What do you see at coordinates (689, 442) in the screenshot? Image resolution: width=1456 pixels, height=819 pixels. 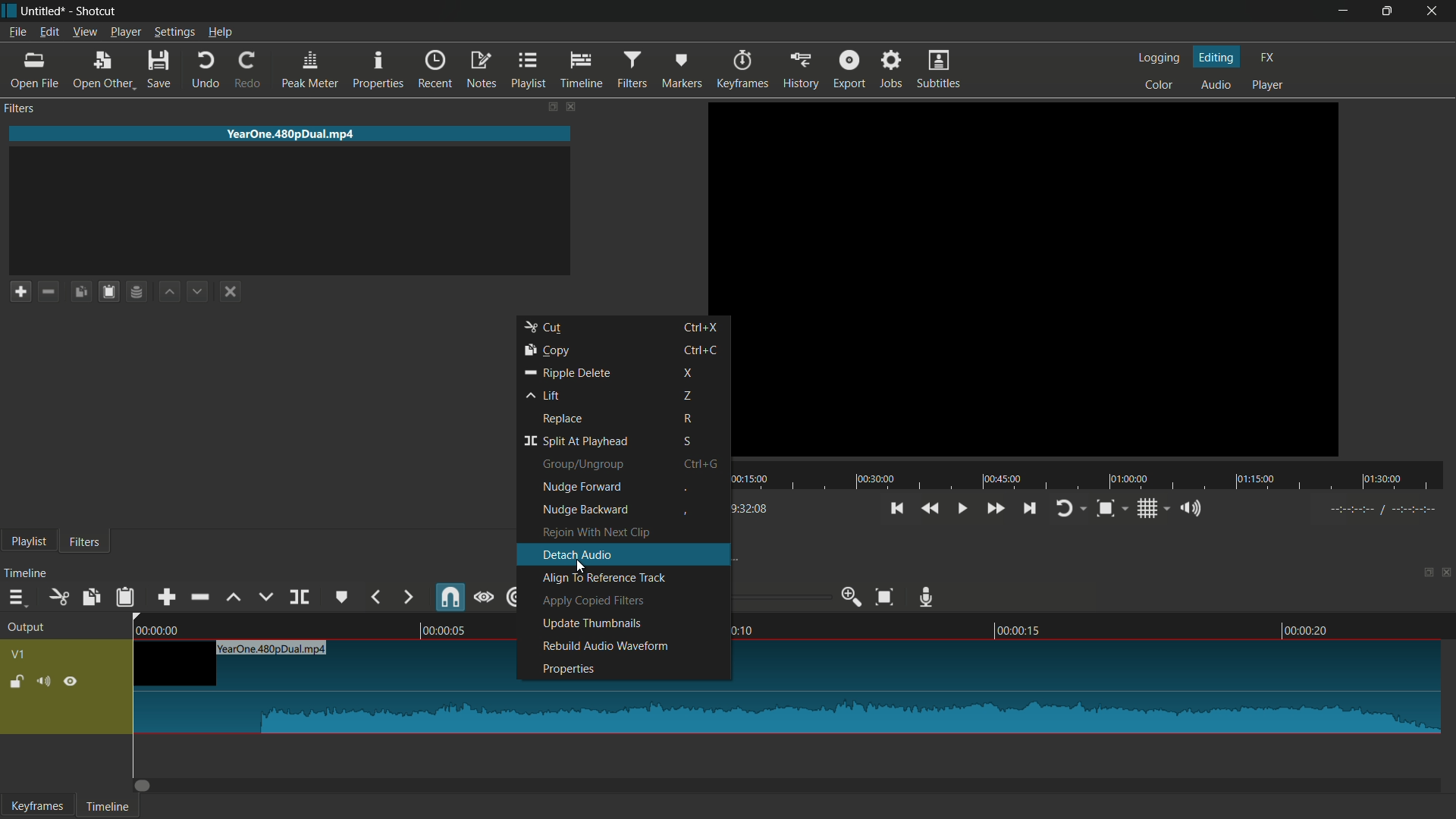 I see `keyboard shortcut` at bounding box center [689, 442].